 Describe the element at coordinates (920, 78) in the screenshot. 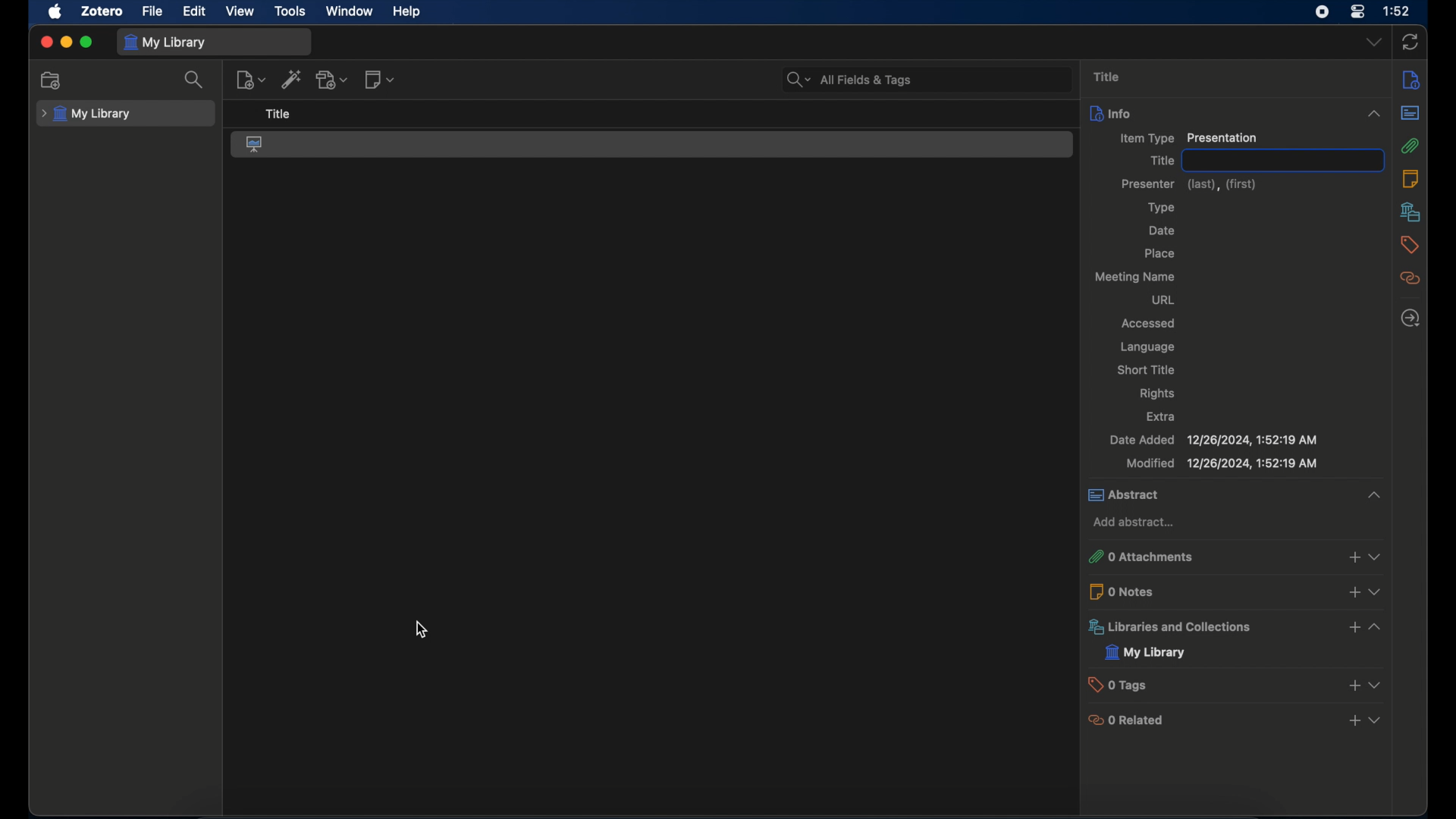

I see `All Fields & Tags` at that location.